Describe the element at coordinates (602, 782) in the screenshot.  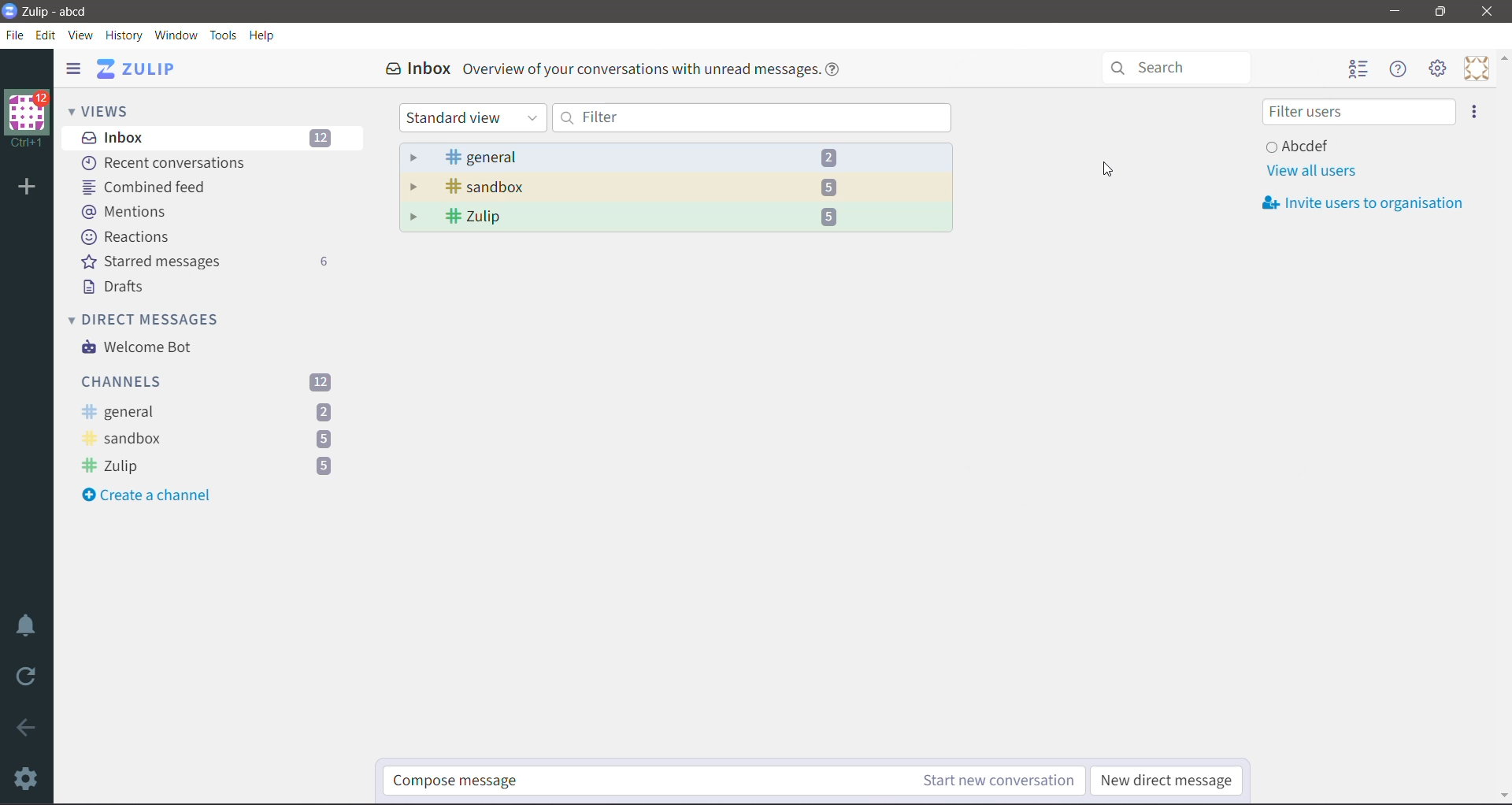
I see `Compose message             ` at that location.